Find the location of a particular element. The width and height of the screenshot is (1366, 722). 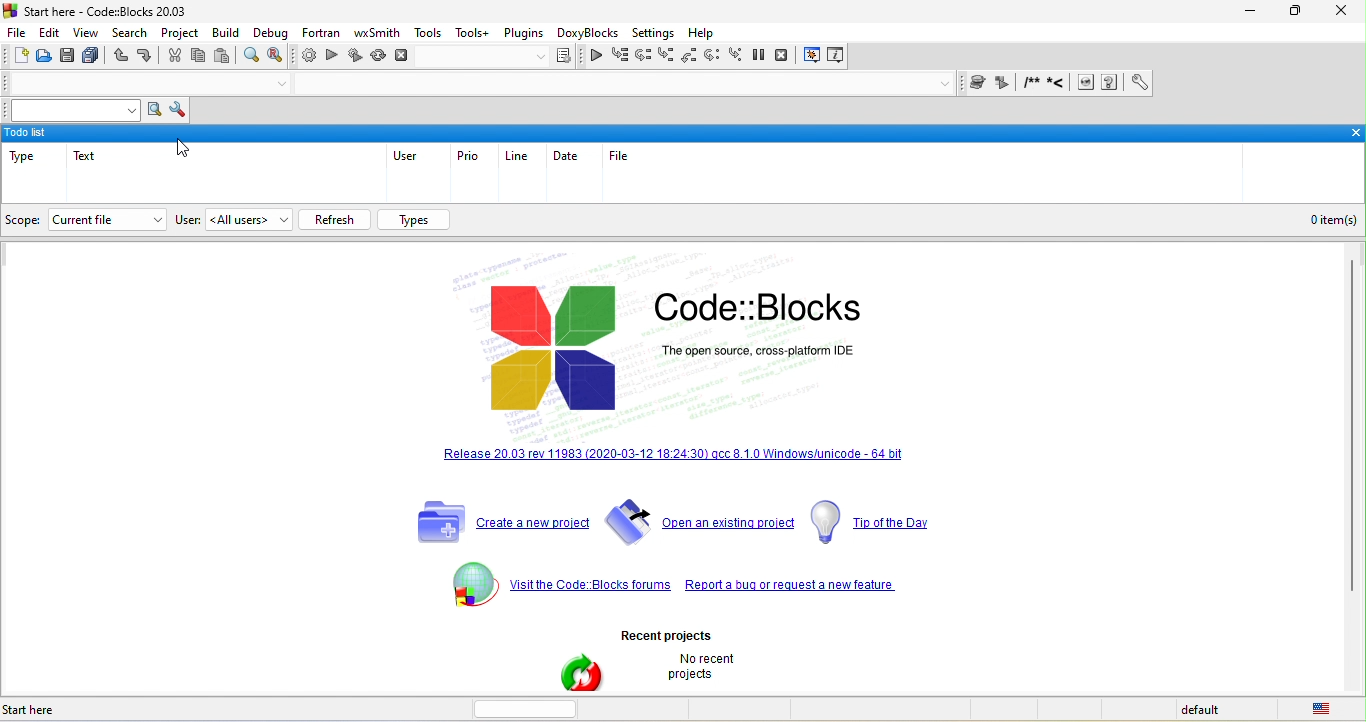

replace is located at coordinates (281, 57).